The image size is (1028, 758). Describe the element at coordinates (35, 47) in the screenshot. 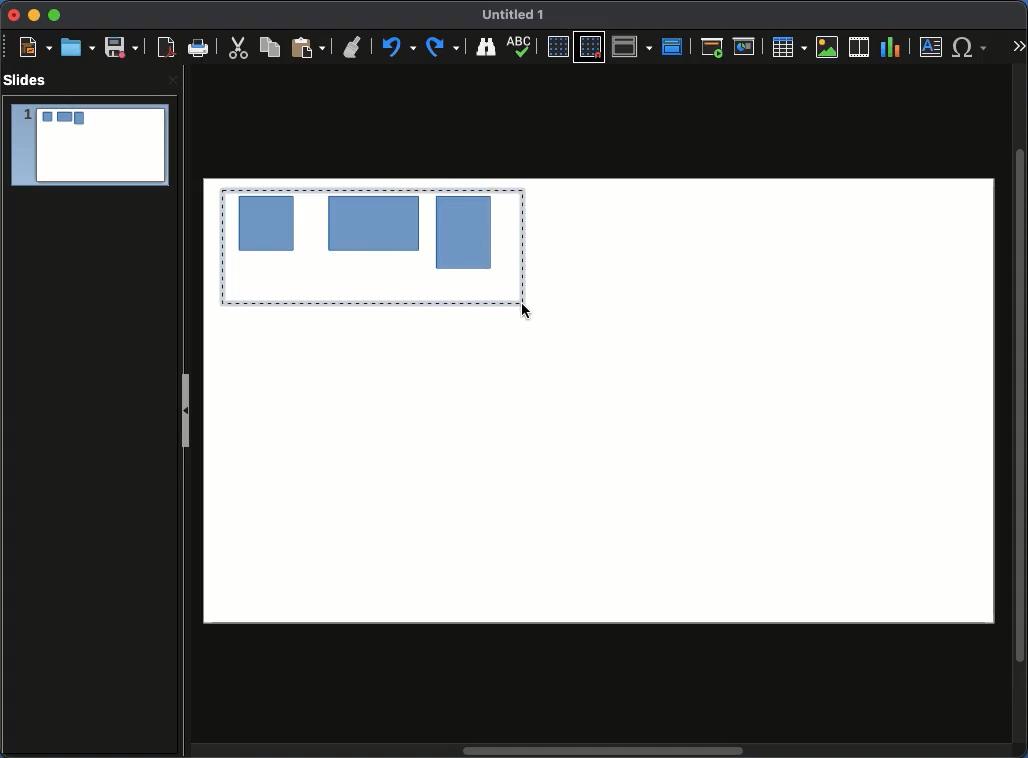

I see `New` at that location.